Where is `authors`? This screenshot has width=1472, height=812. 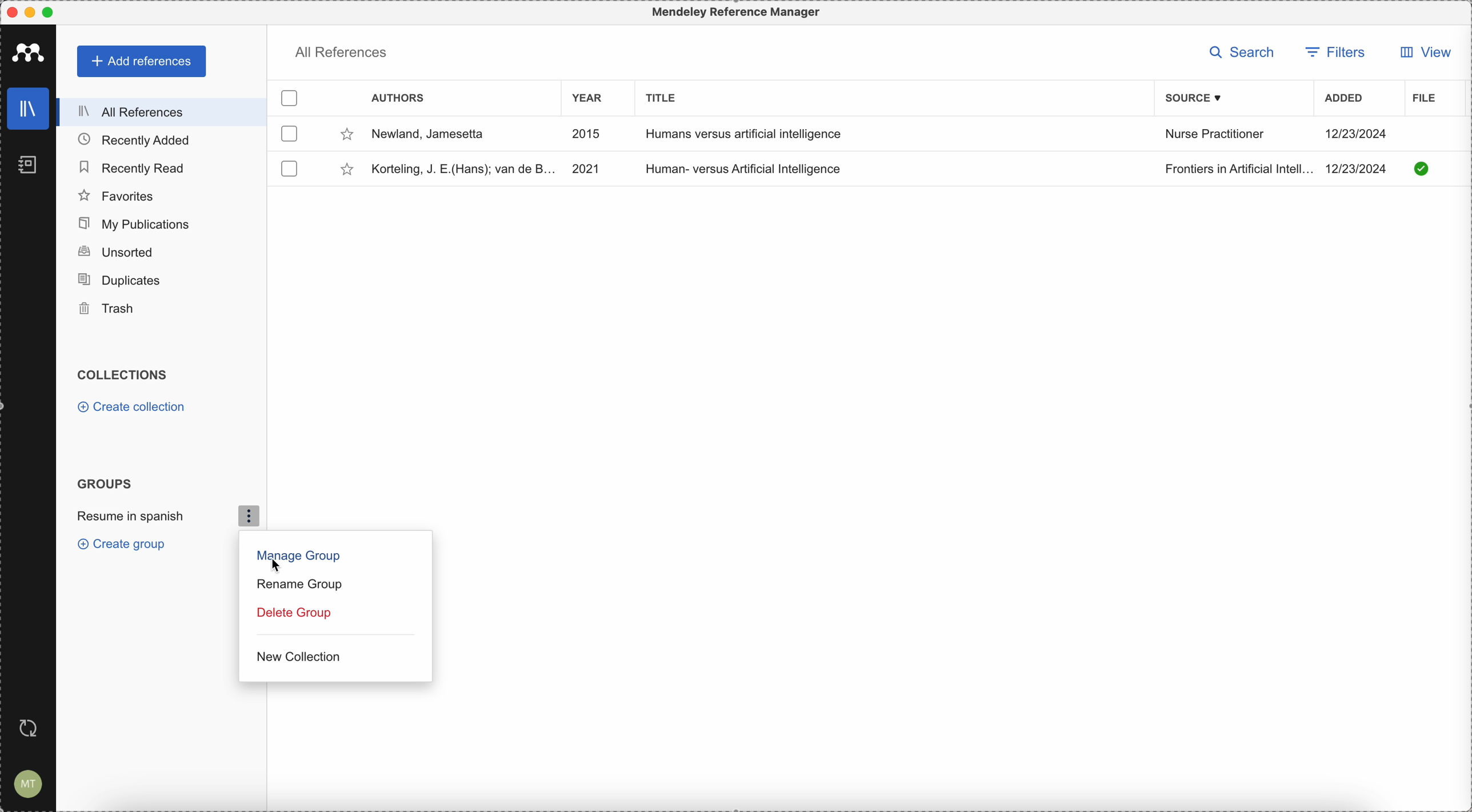 authors is located at coordinates (397, 98).